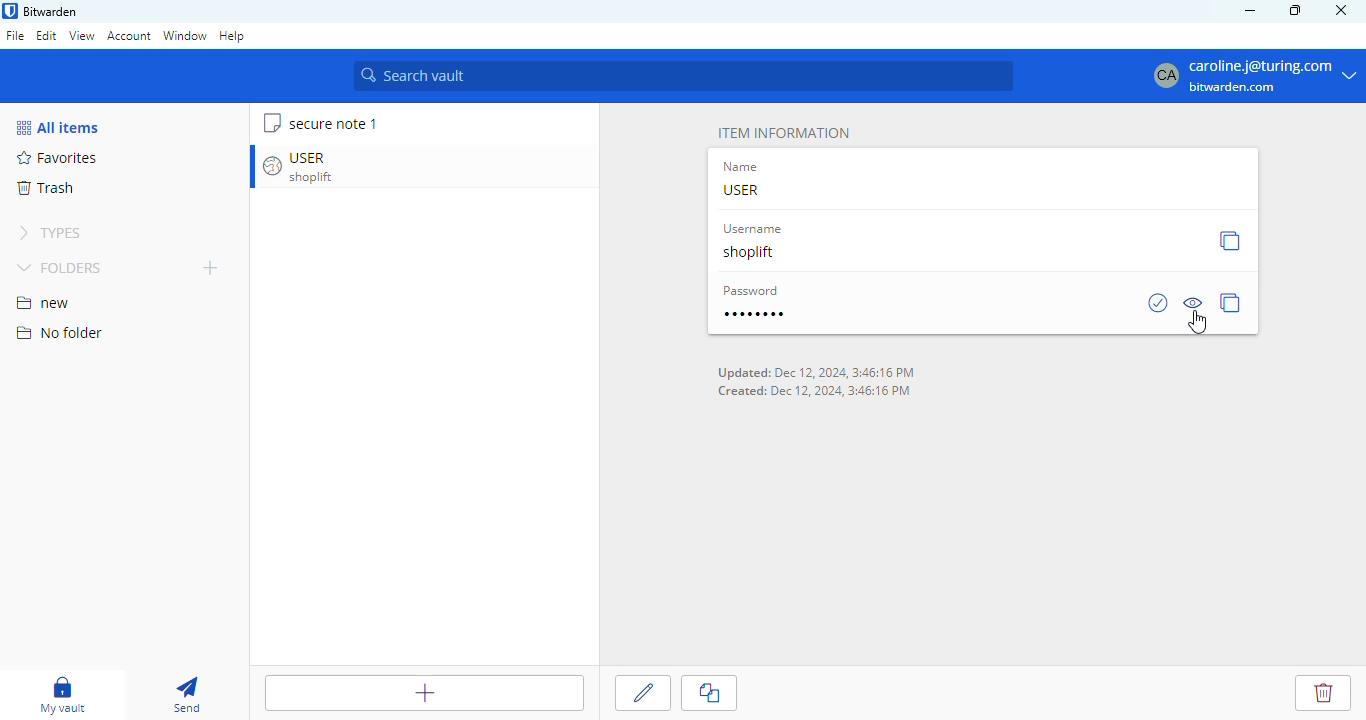  I want to click on send, so click(188, 696).